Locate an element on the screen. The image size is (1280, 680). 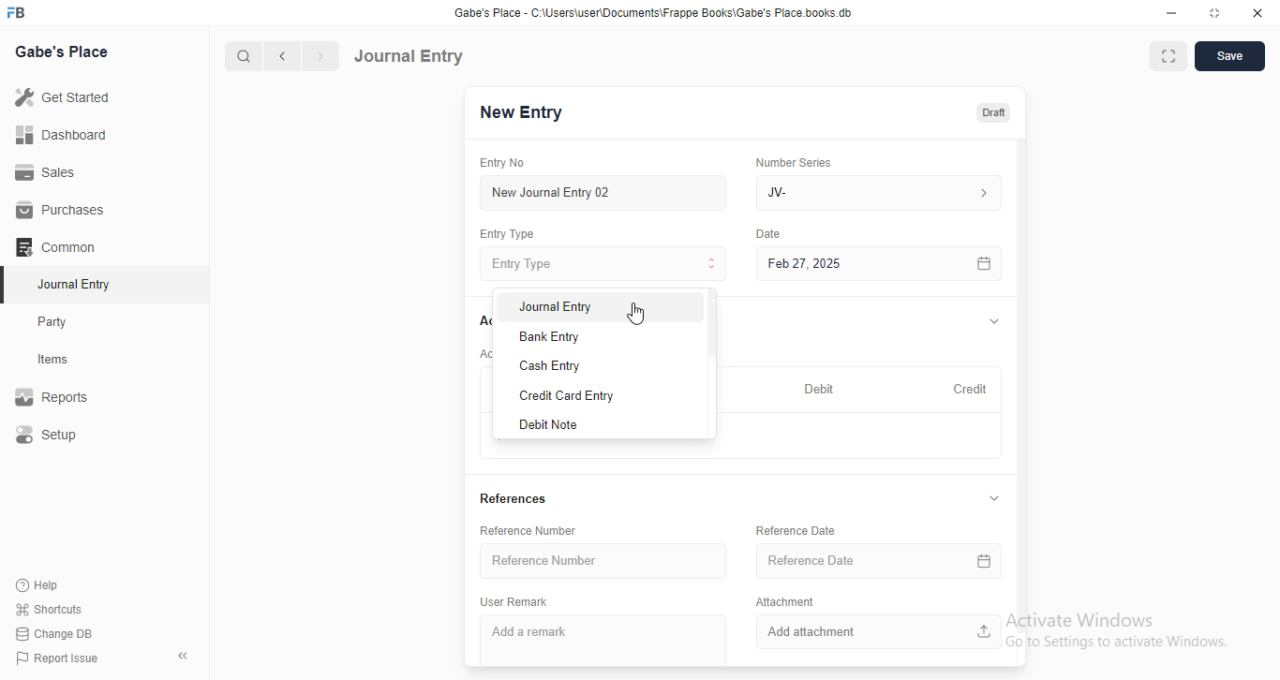
Entry Type is located at coordinates (507, 235).